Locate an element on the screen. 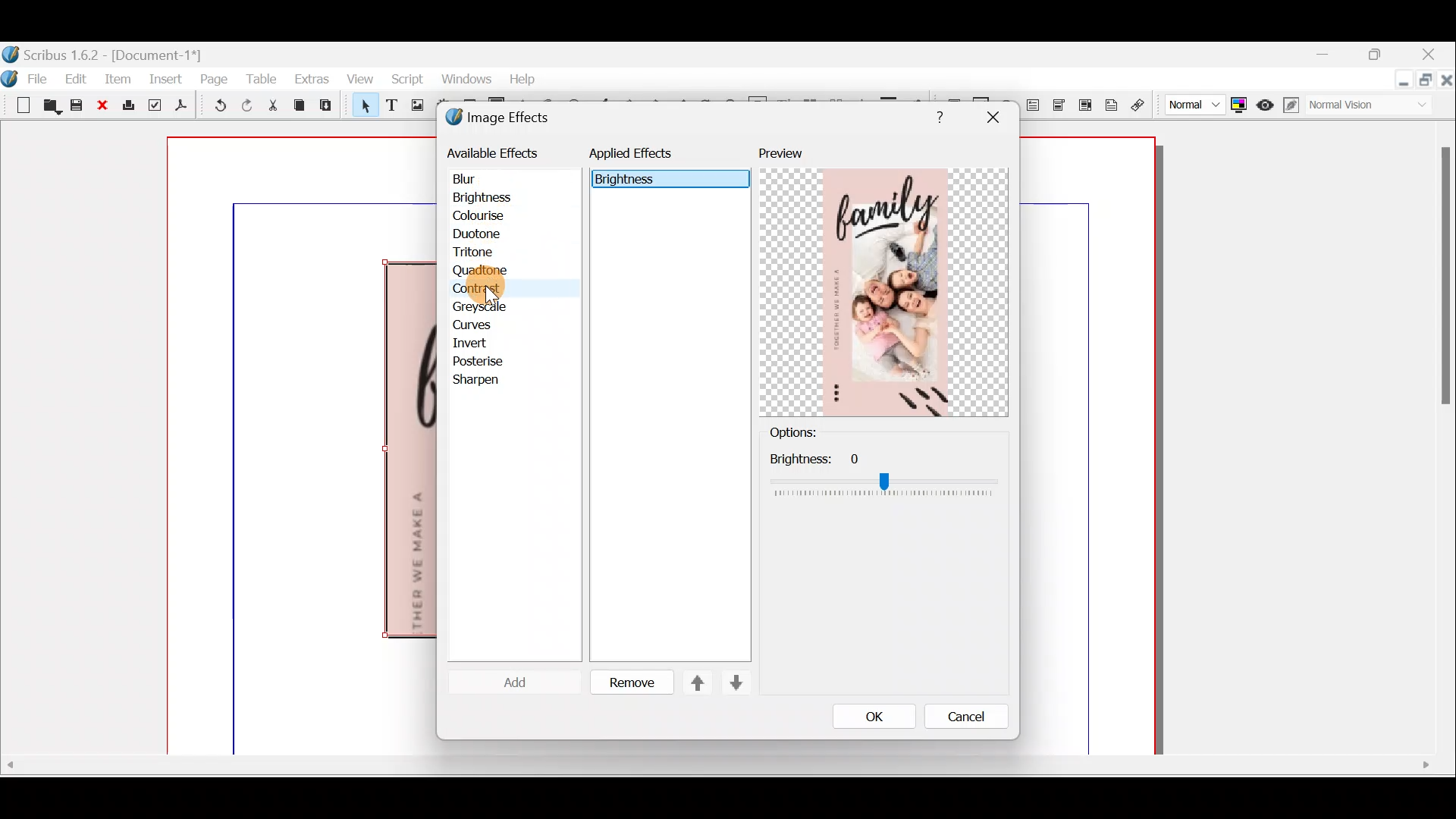 The image size is (1456, 819). PDF text field is located at coordinates (1034, 105).